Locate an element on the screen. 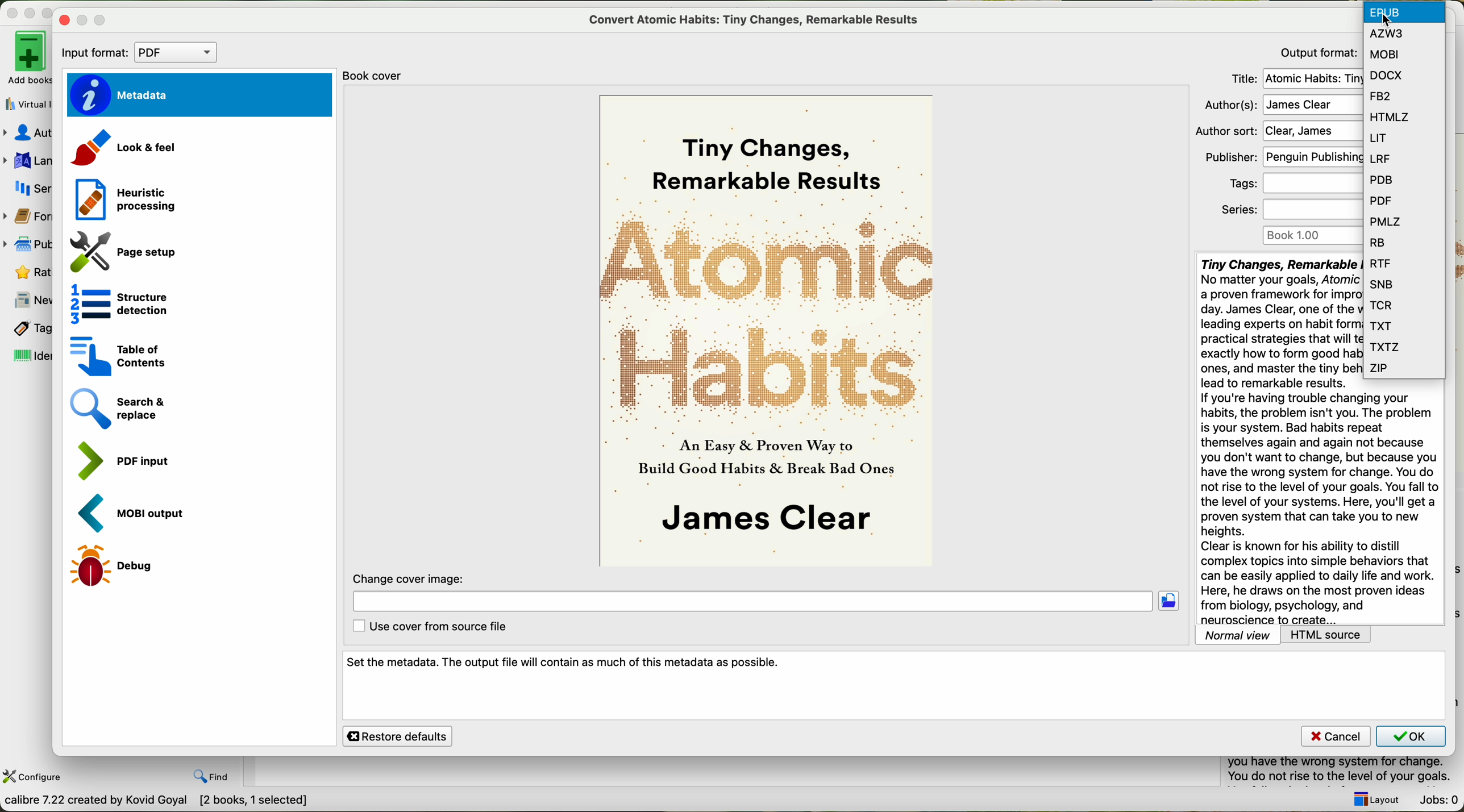 This screenshot has height=812, width=1464. PDF input is located at coordinates (120, 459).